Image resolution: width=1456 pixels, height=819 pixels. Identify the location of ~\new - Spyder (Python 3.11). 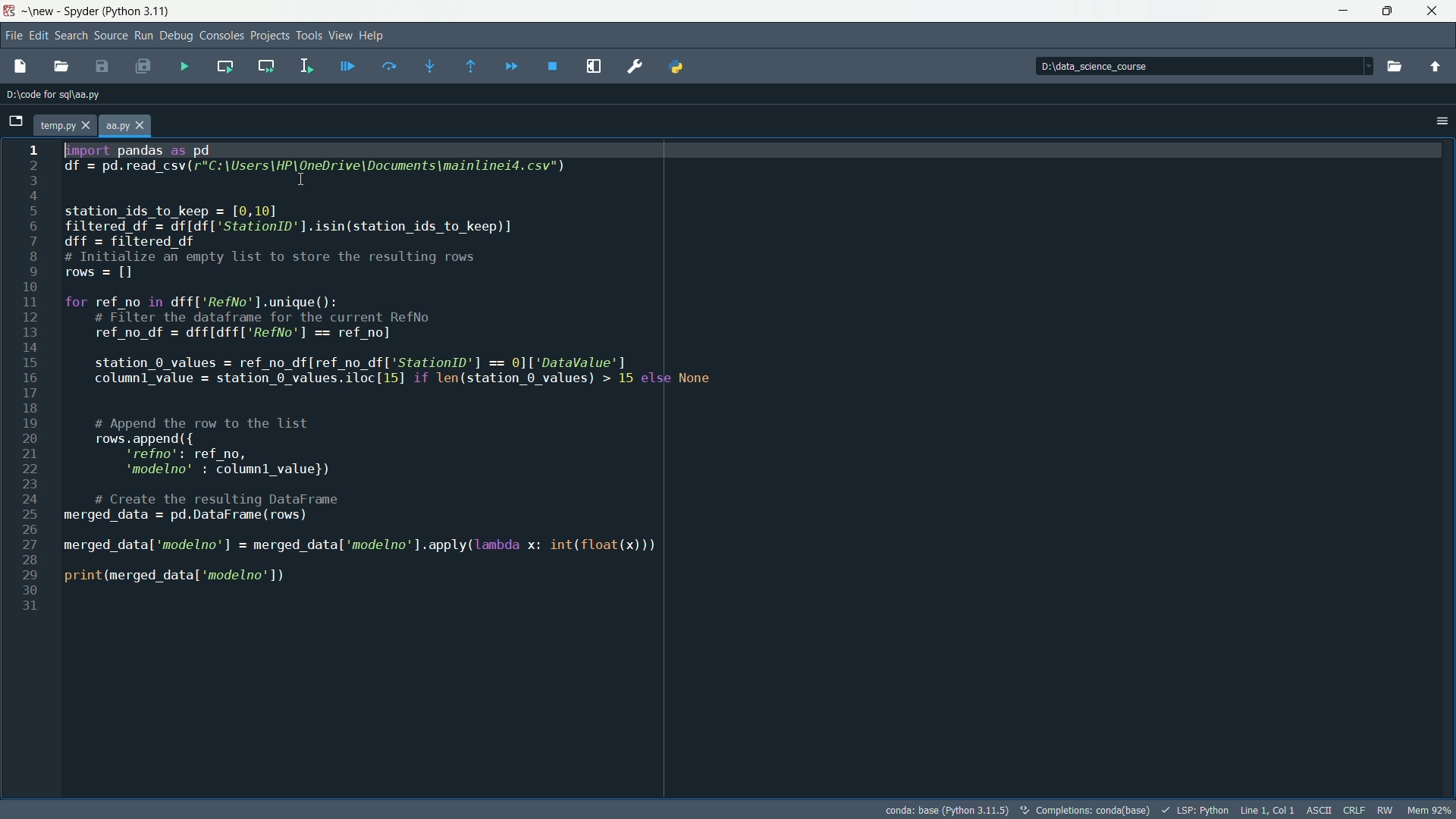
(102, 11).